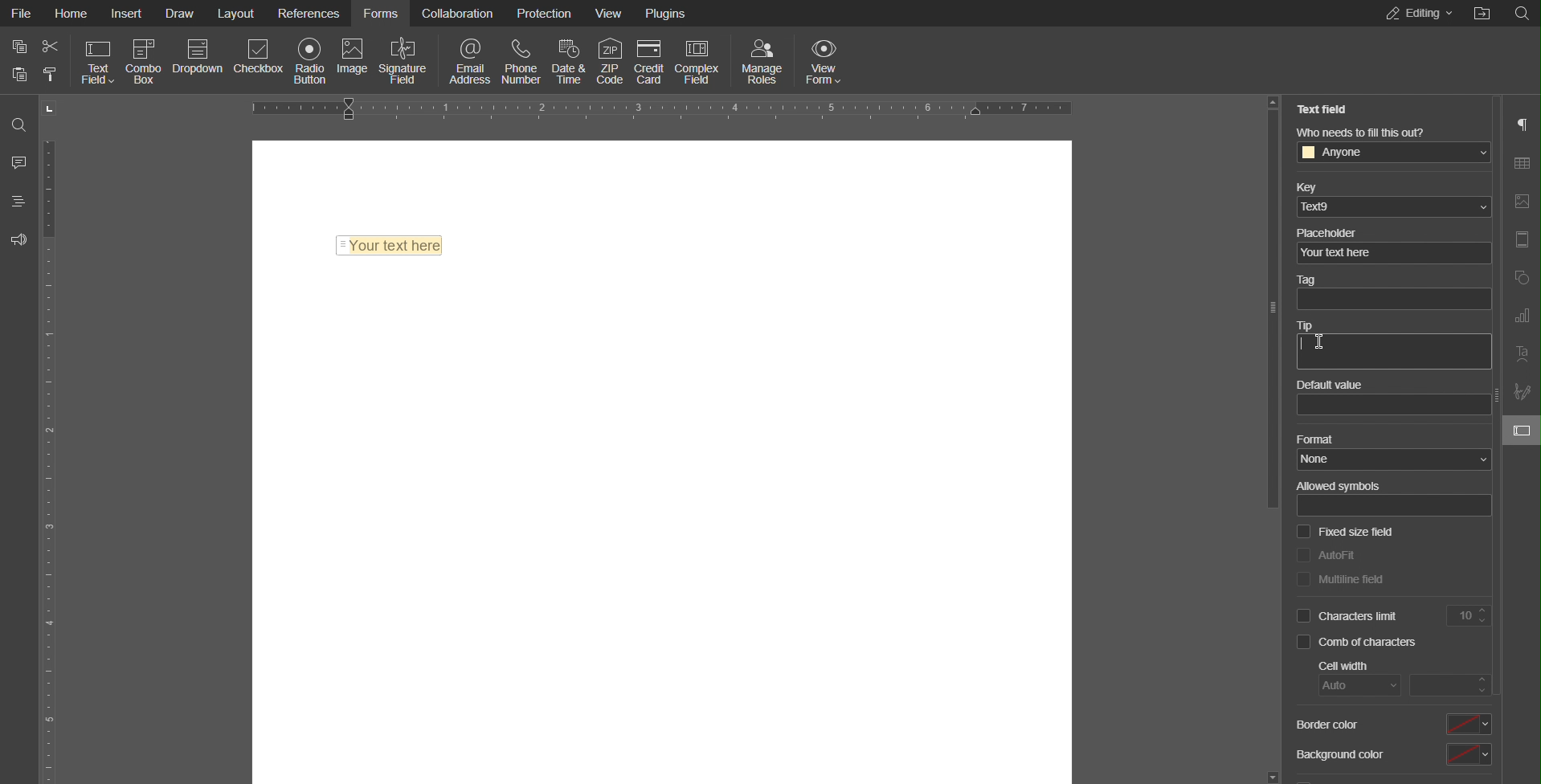 The height and width of the screenshot is (784, 1541). What do you see at coordinates (612, 59) in the screenshot?
I see `ZIP Code` at bounding box center [612, 59].